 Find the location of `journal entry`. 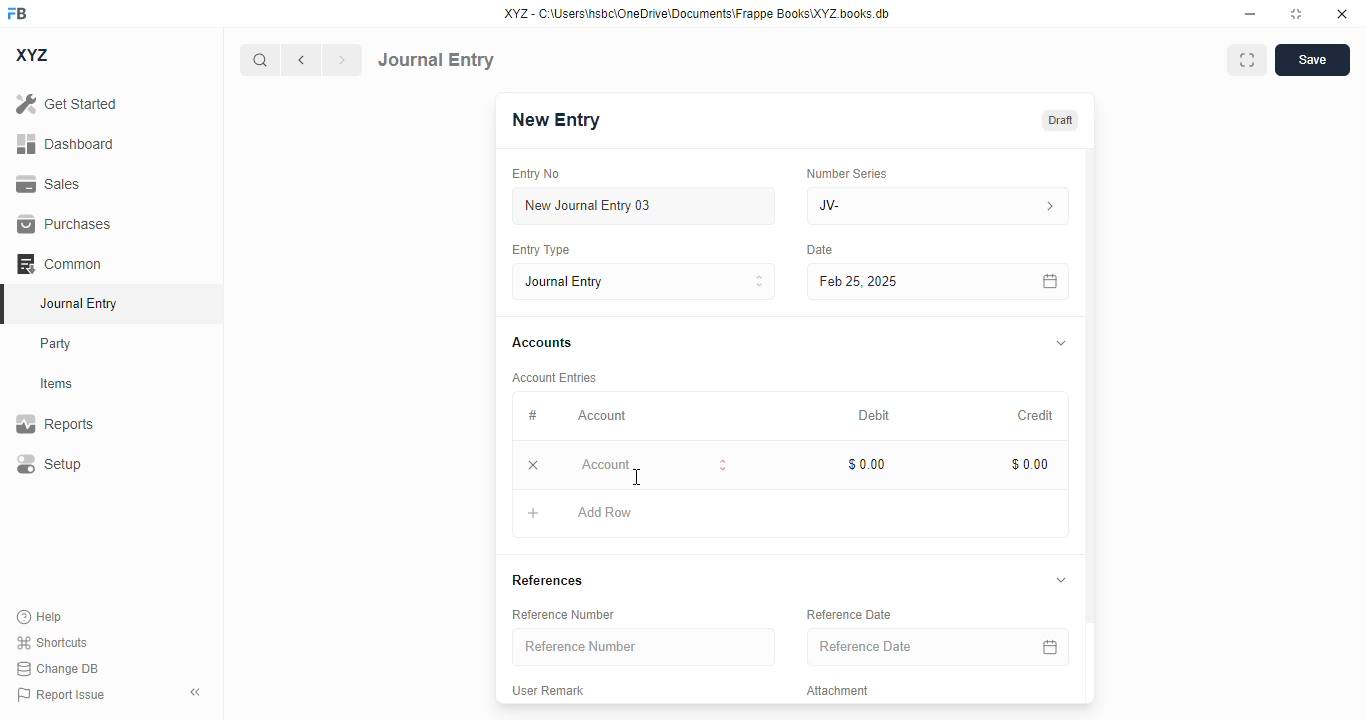

journal entry is located at coordinates (77, 303).